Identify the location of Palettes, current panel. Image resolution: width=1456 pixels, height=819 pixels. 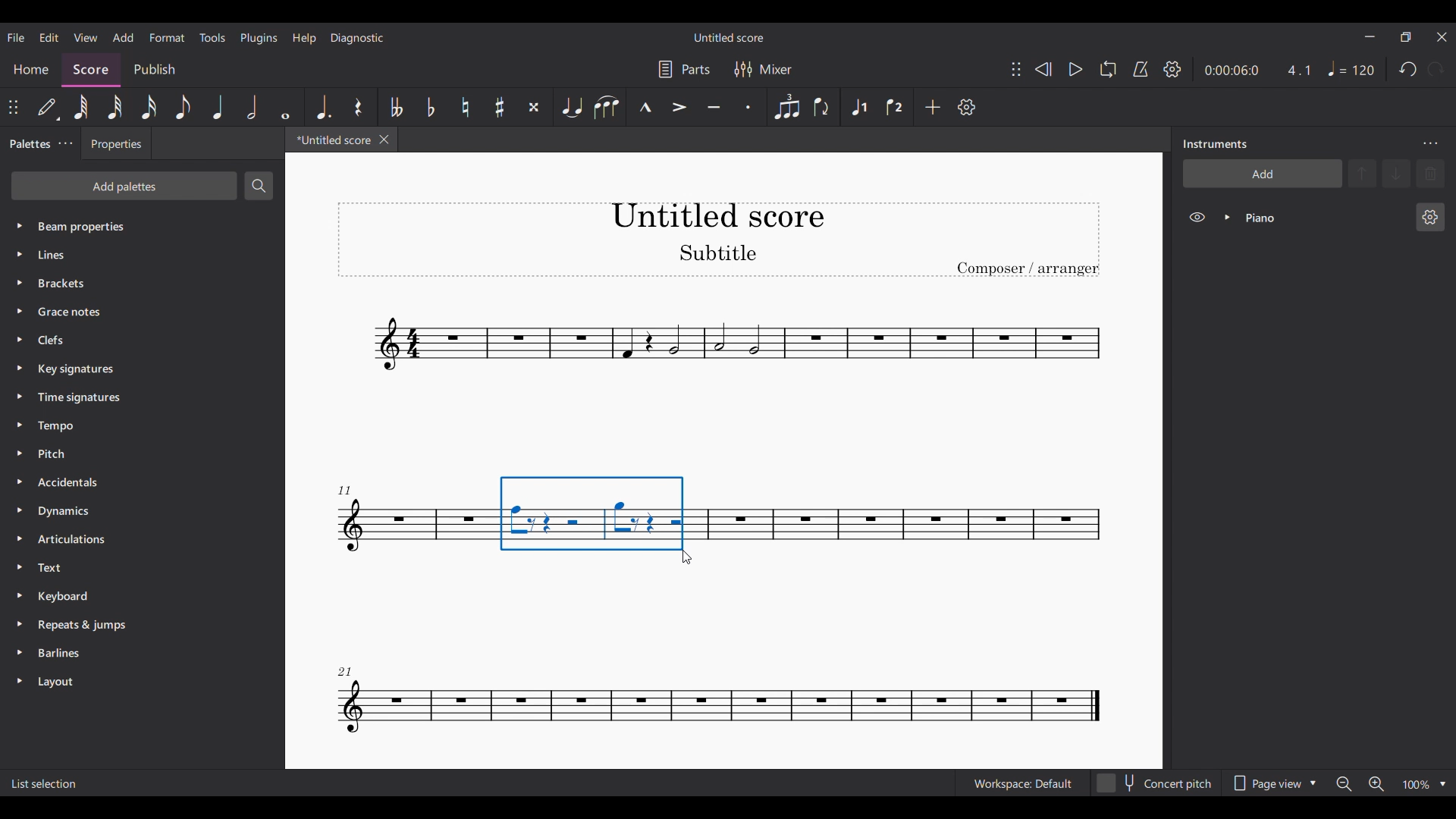
(27, 146).